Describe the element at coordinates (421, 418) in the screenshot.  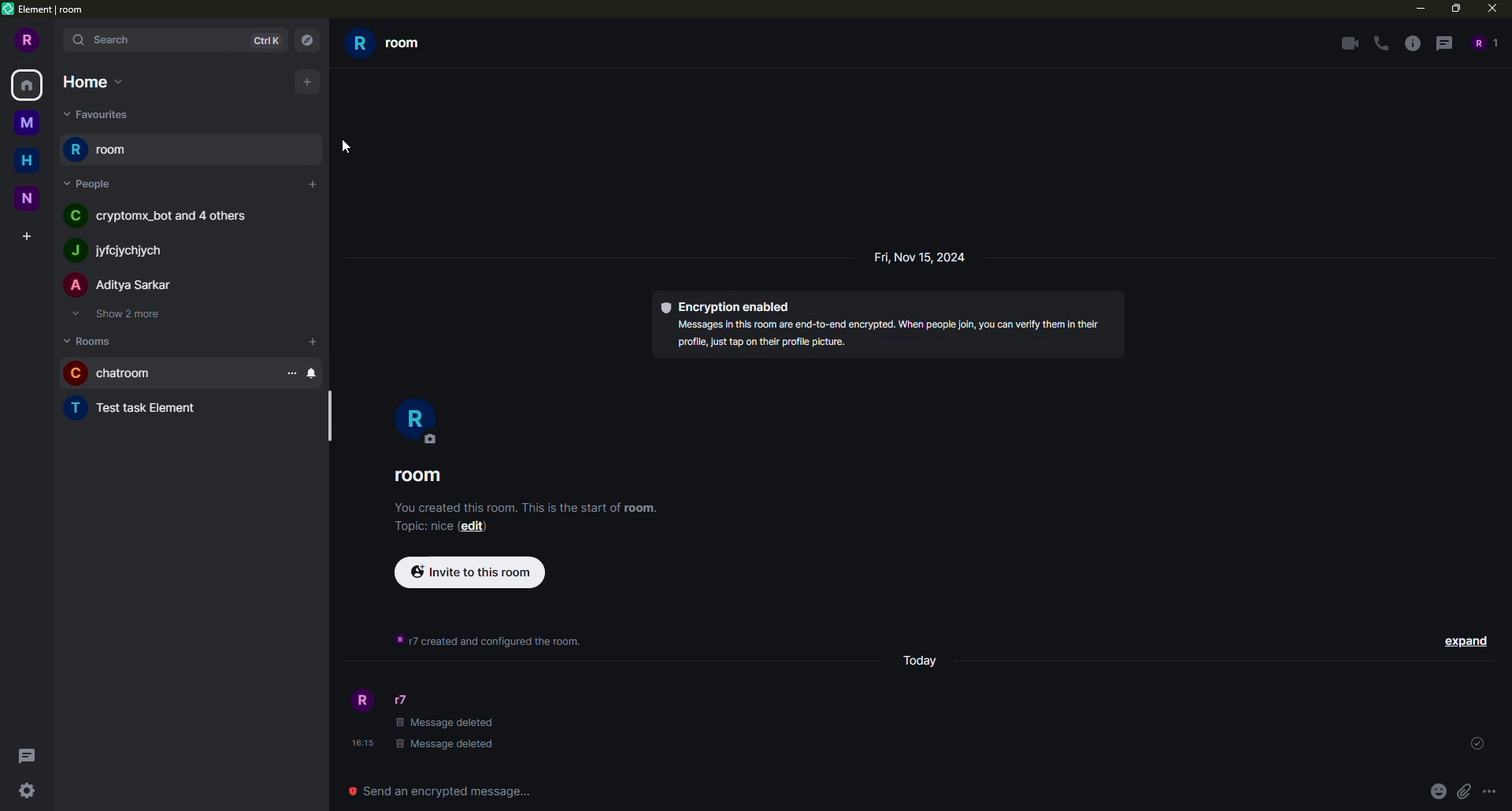
I see `r` at that location.